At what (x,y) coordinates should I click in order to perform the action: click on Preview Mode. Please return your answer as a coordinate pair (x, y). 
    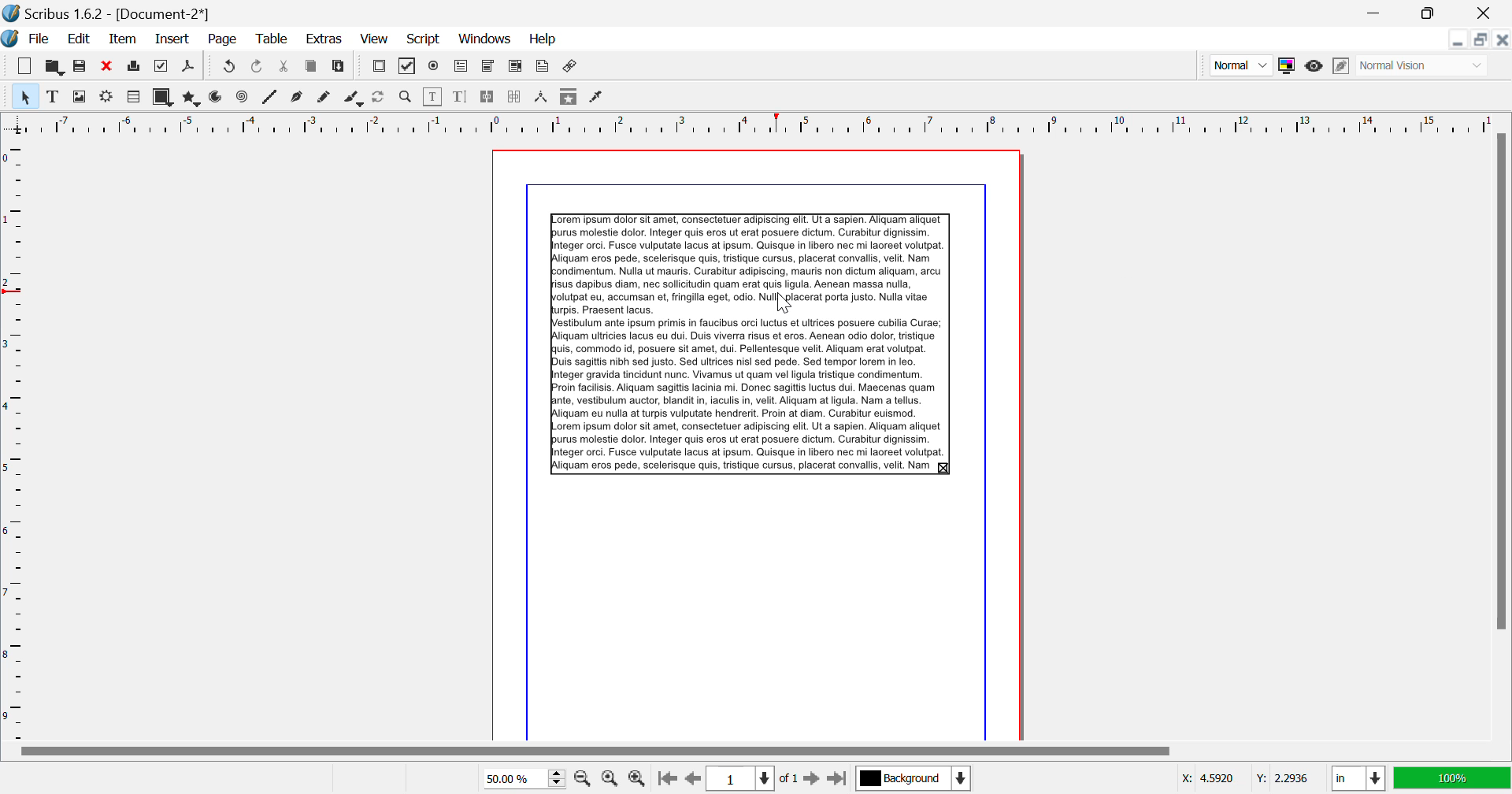
    Looking at the image, I should click on (1240, 65).